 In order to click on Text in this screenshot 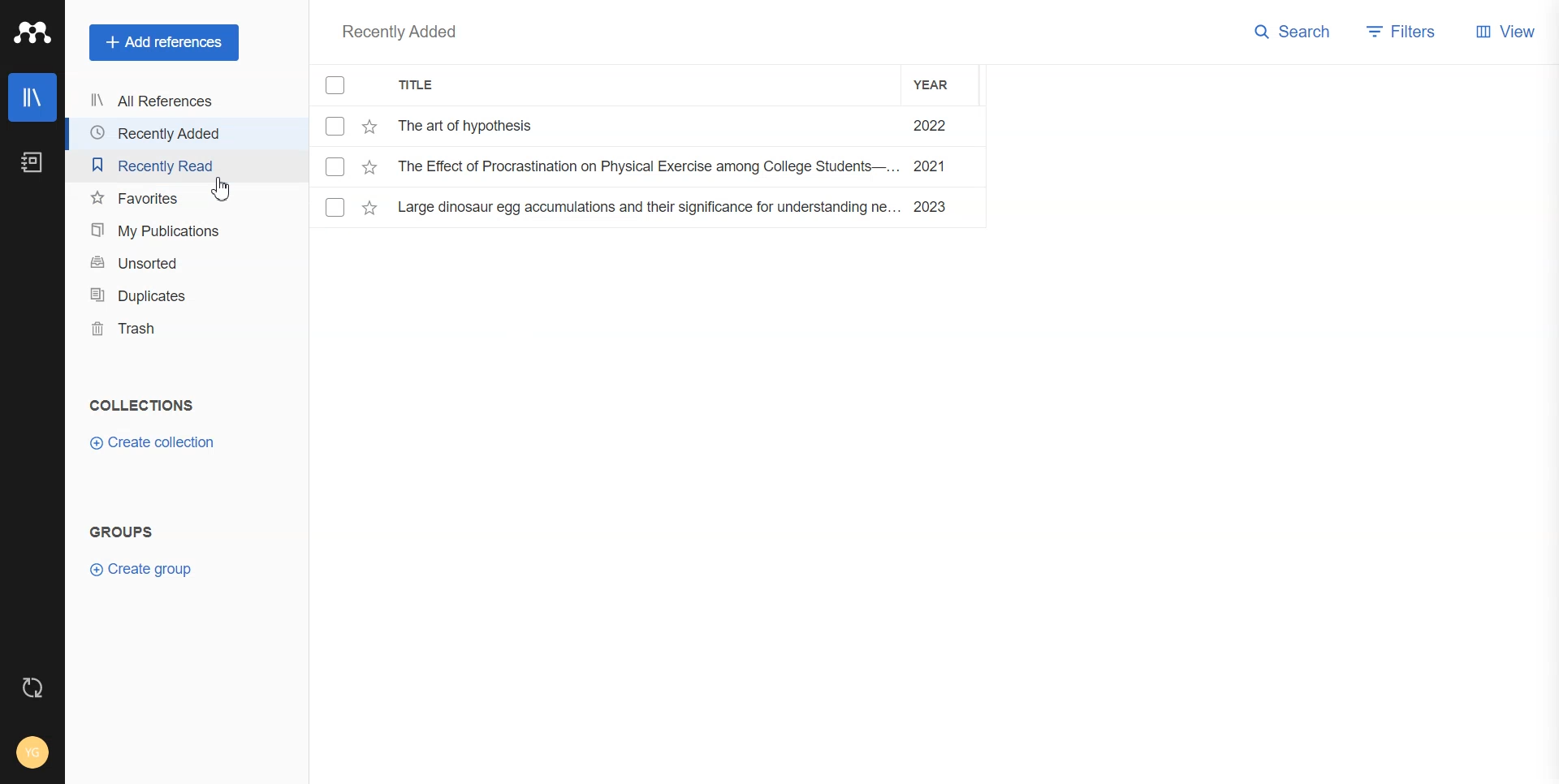, I will do `click(123, 533)`.